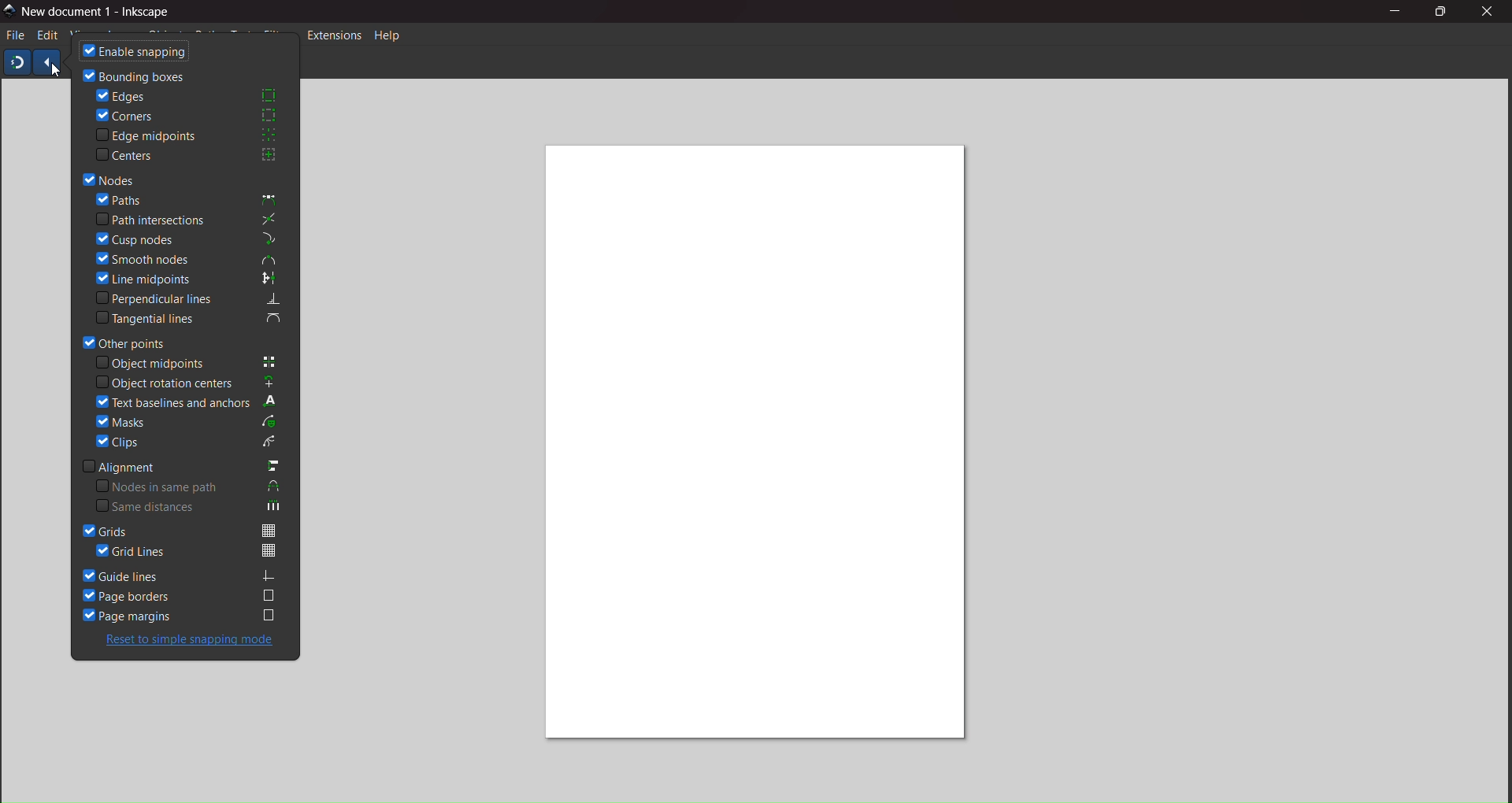 The image size is (1512, 803). What do you see at coordinates (196, 641) in the screenshot?
I see `Reset to simple mode` at bounding box center [196, 641].